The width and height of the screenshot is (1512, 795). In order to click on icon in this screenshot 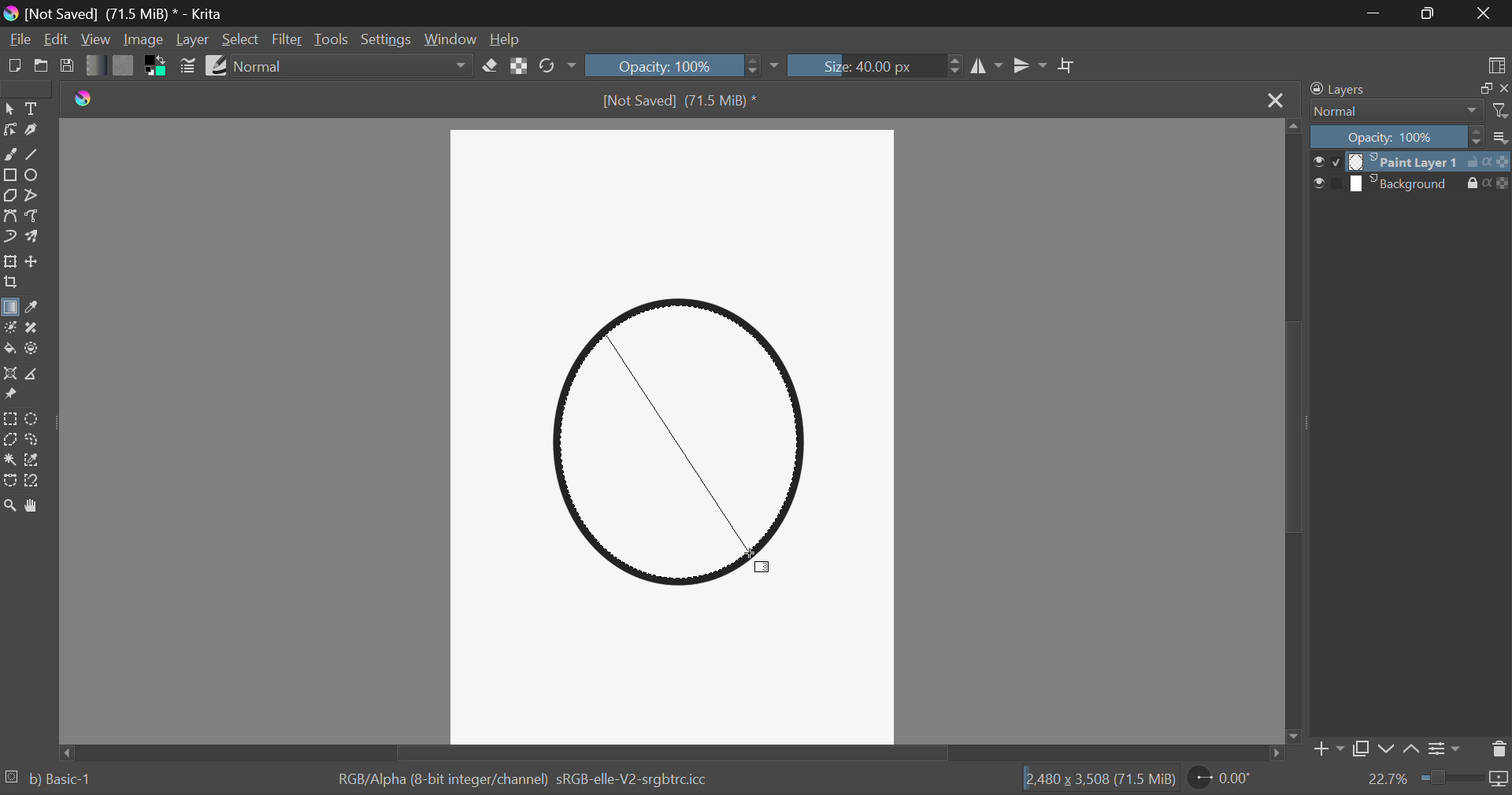, I will do `click(1501, 782)`.